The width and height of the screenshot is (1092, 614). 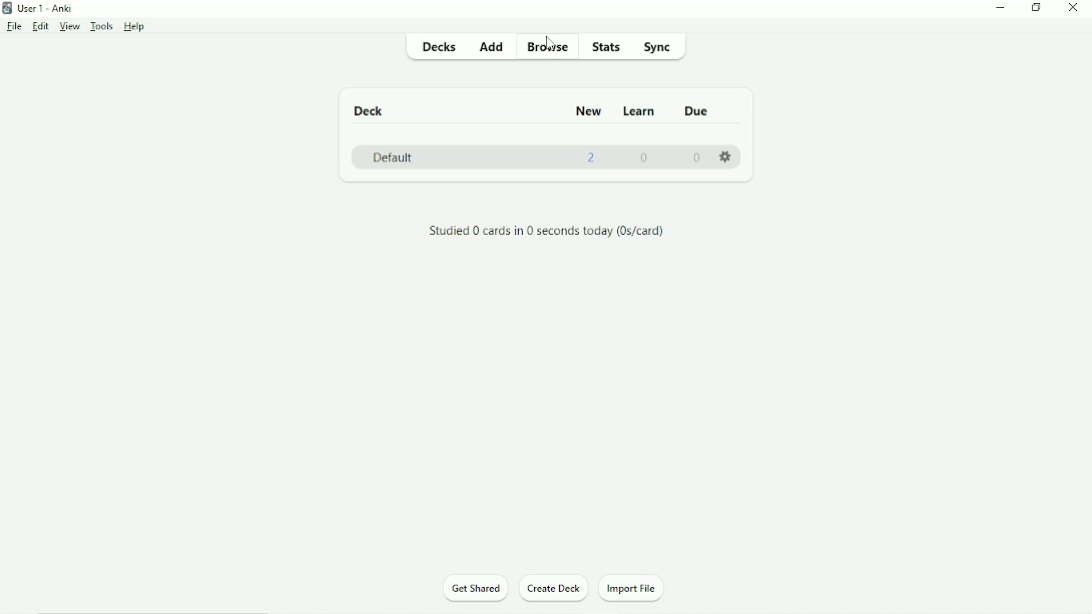 What do you see at coordinates (724, 155) in the screenshot?
I see `Settings` at bounding box center [724, 155].